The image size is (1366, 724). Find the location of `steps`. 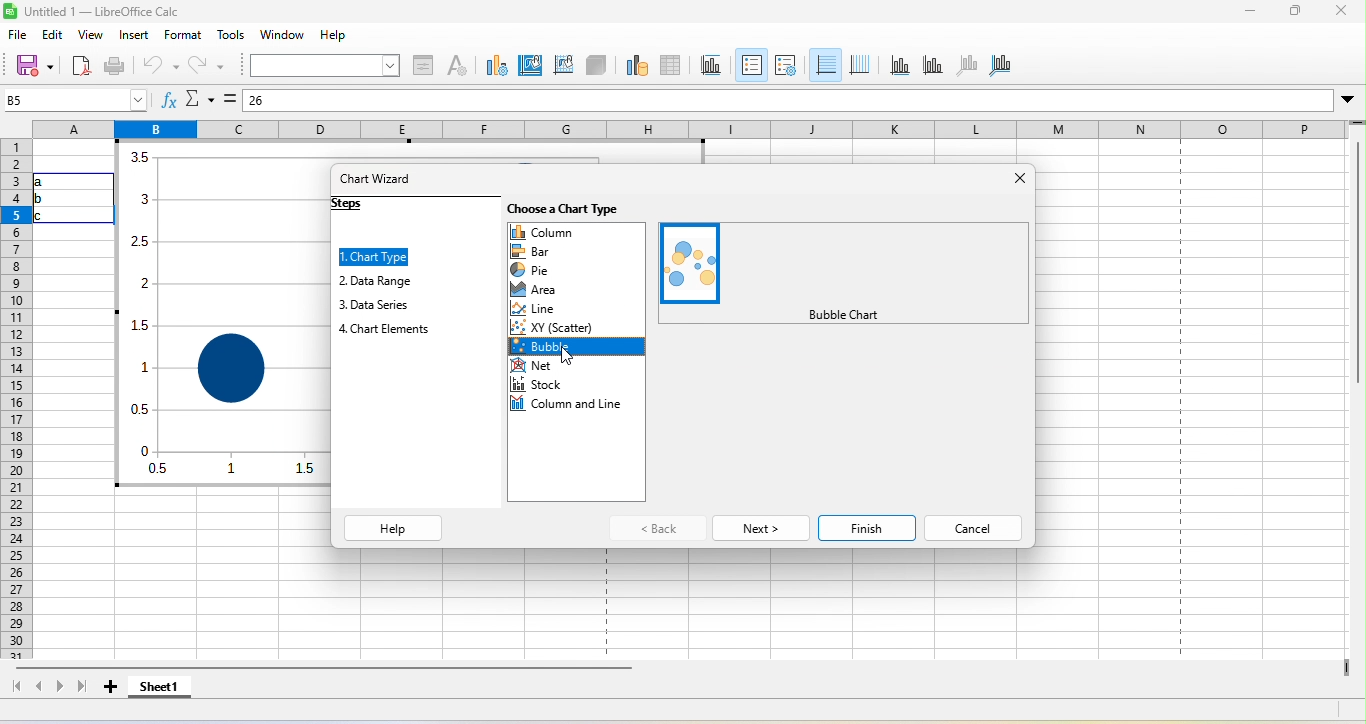

steps is located at coordinates (365, 209).